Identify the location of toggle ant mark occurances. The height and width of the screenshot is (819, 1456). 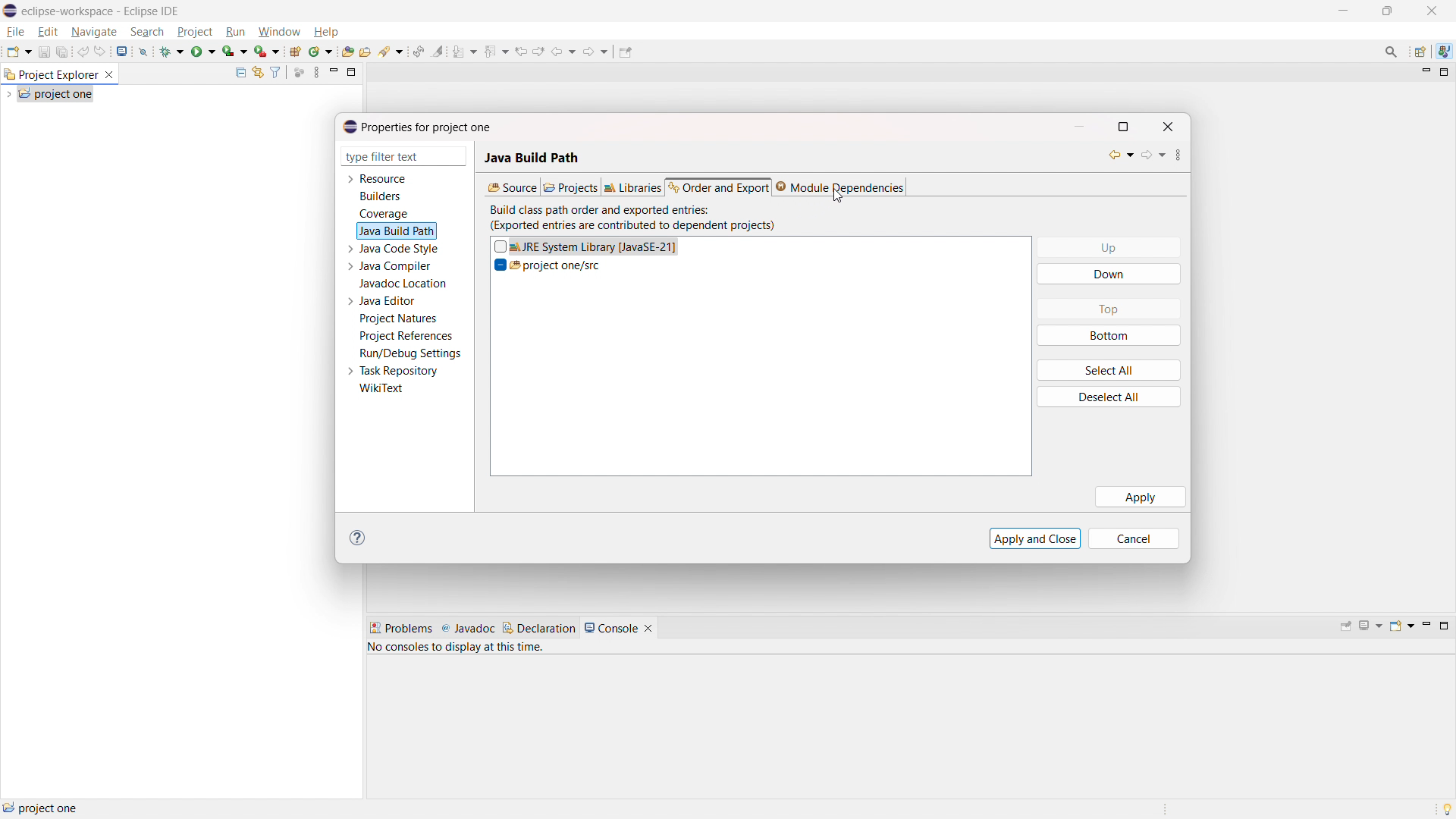
(438, 51).